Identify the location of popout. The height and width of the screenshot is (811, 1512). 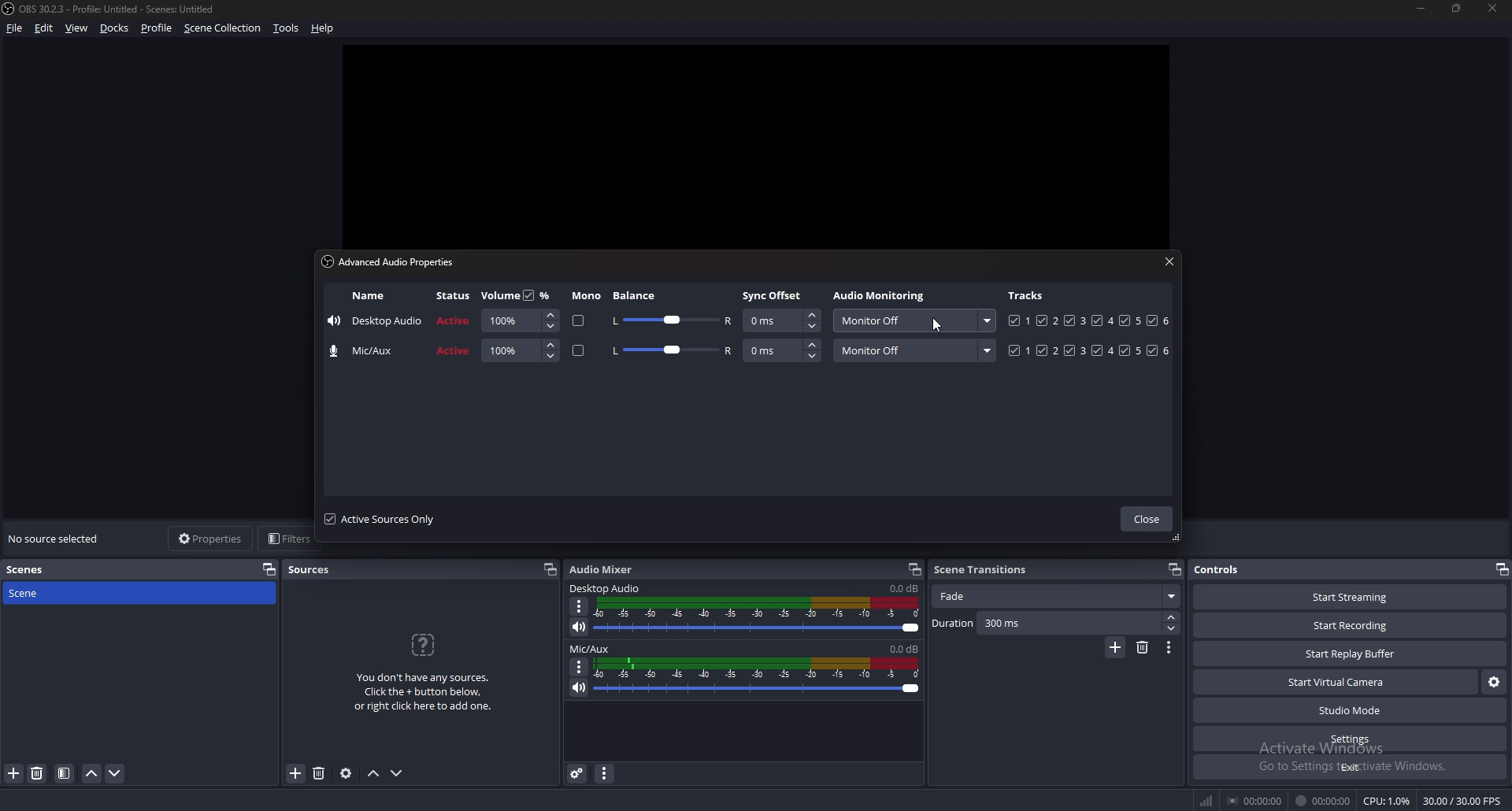
(548, 570).